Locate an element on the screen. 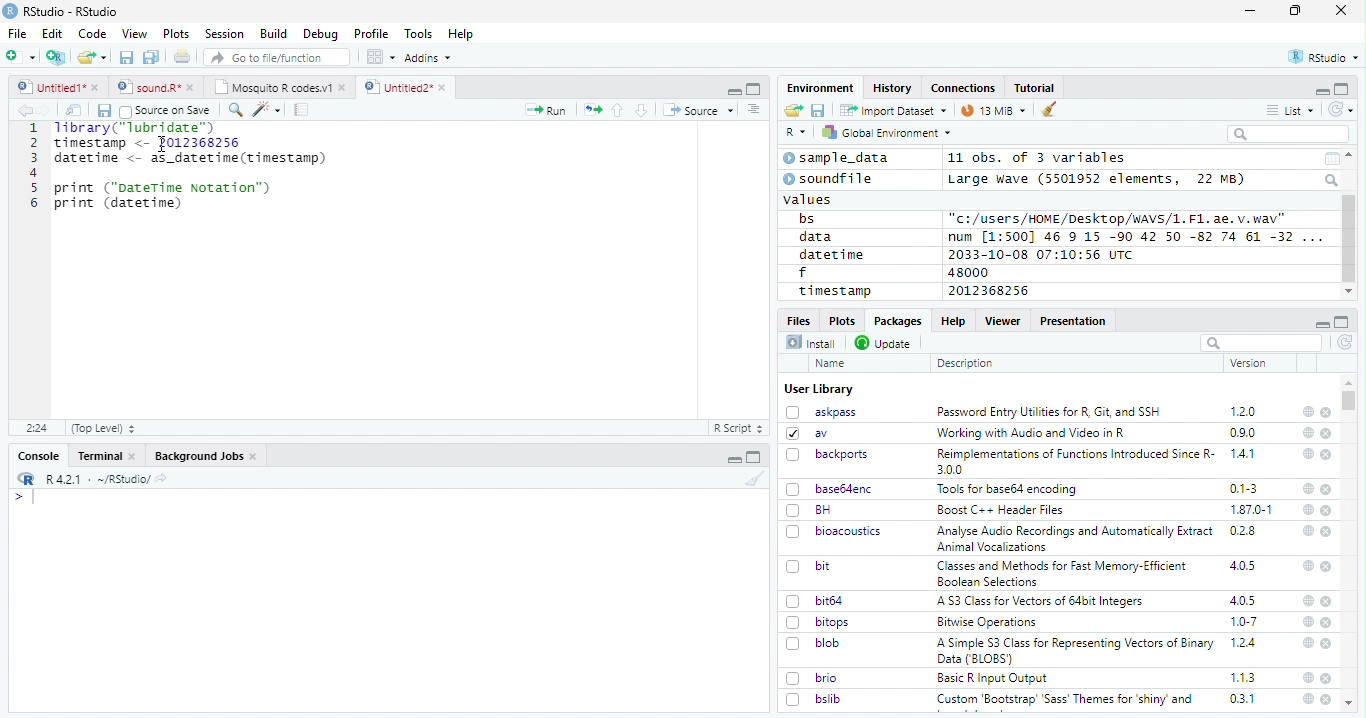  help is located at coordinates (1308, 432).